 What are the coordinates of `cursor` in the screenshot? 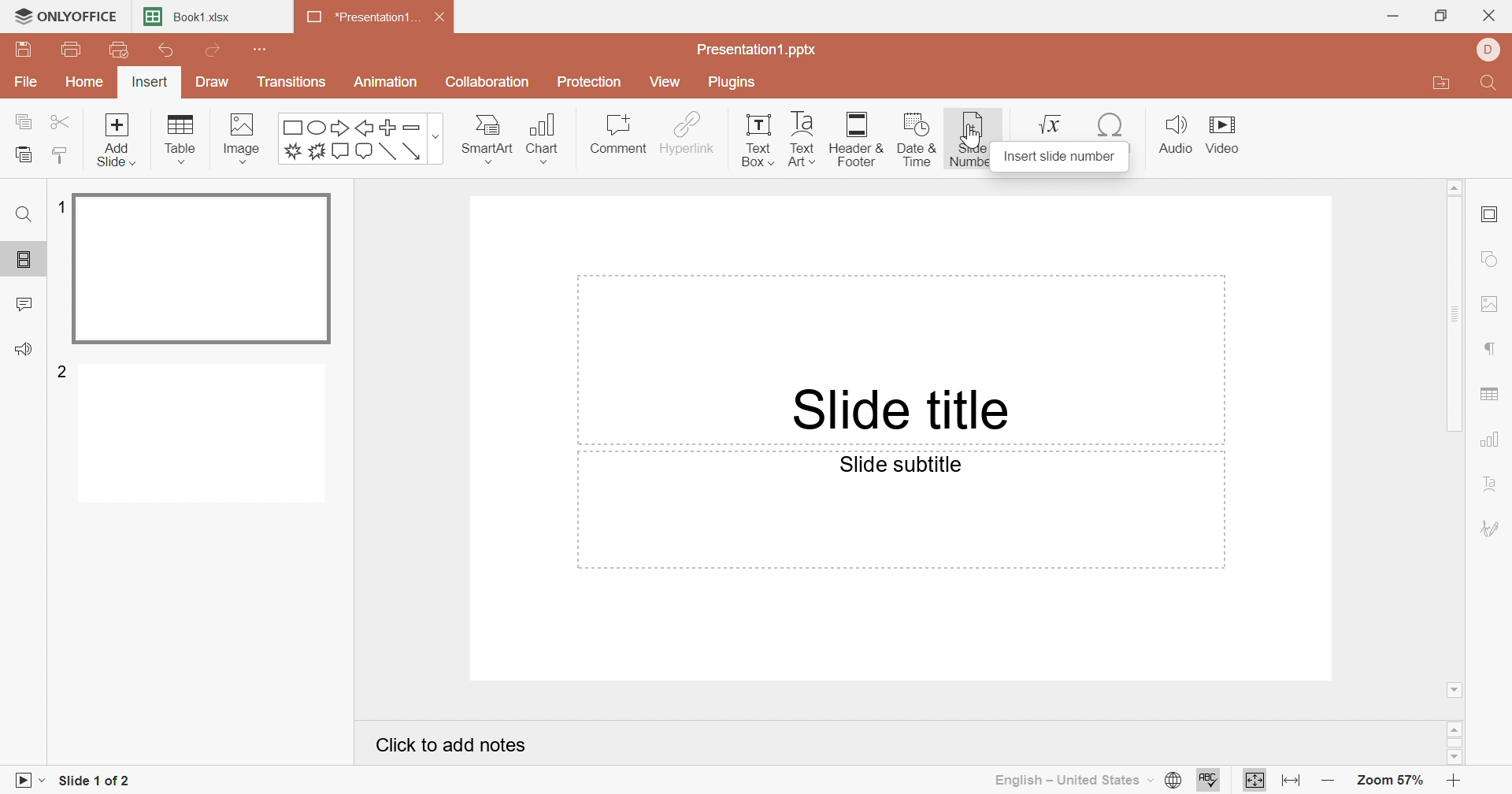 It's located at (975, 137).